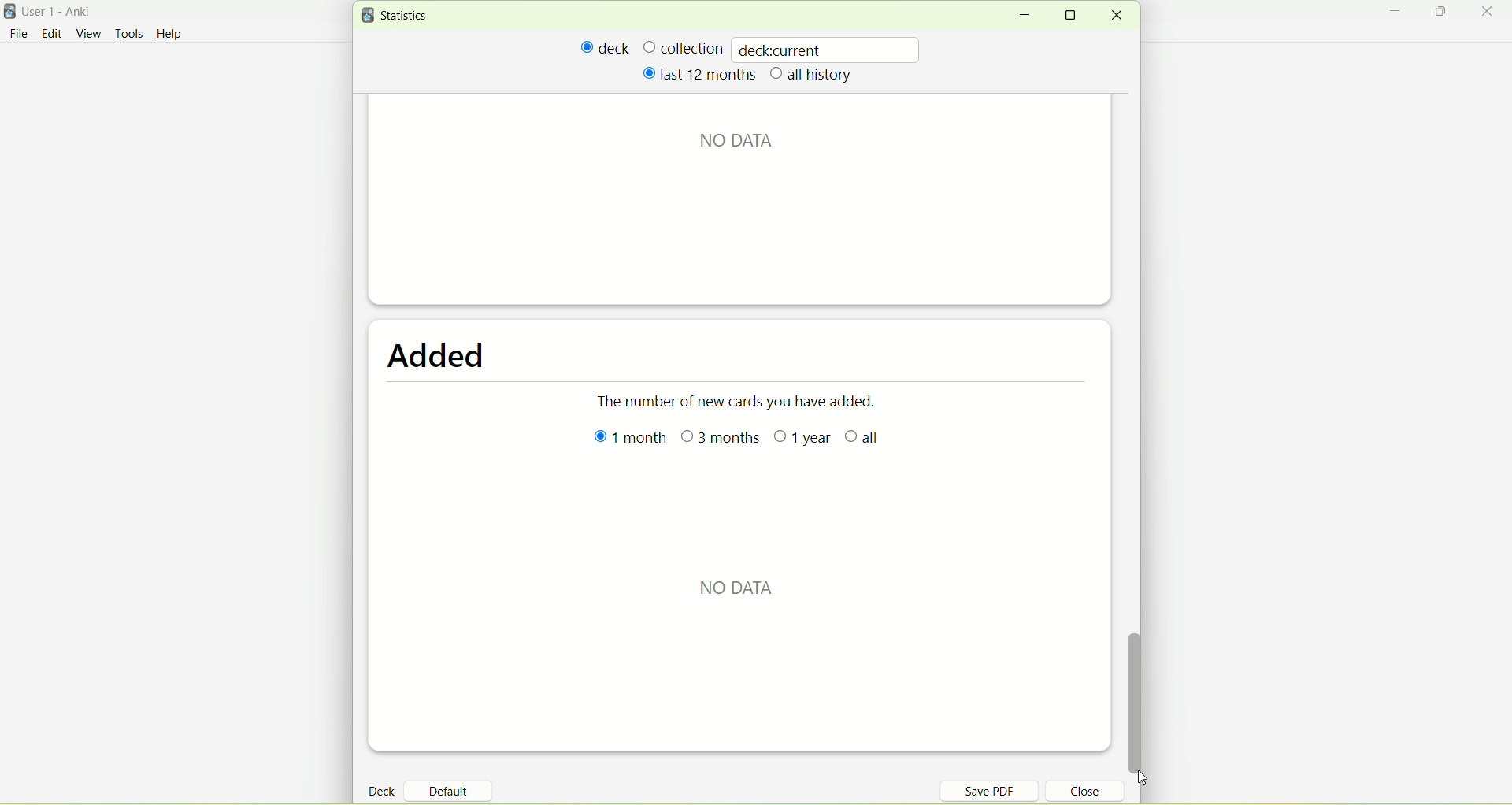  Describe the element at coordinates (683, 47) in the screenshot. I see `collection` at that location.